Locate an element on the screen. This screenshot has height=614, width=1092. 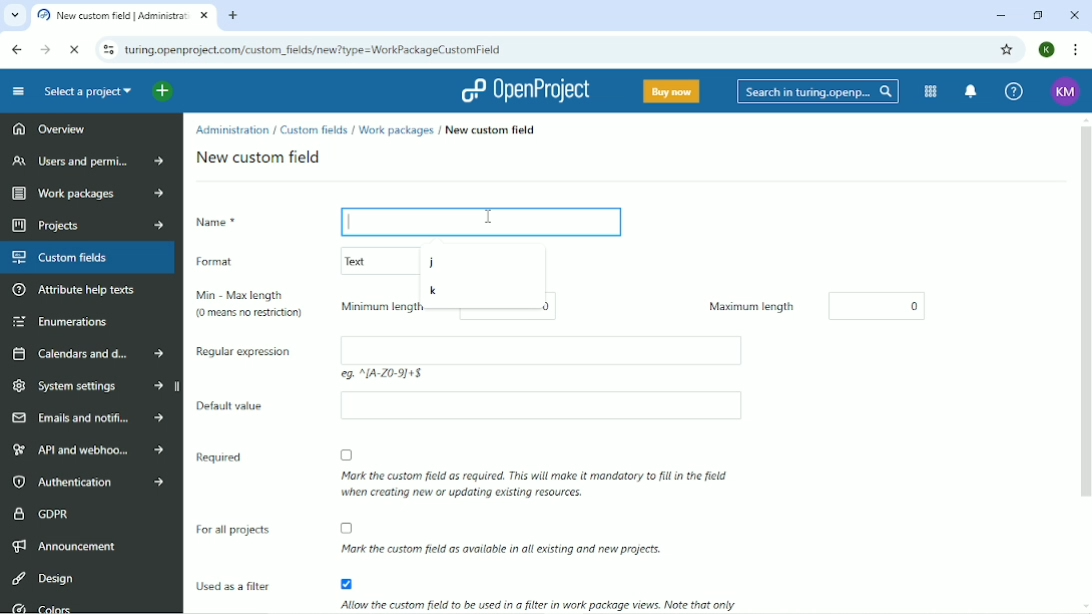
Maximum length is located at coordinates (747, 306).